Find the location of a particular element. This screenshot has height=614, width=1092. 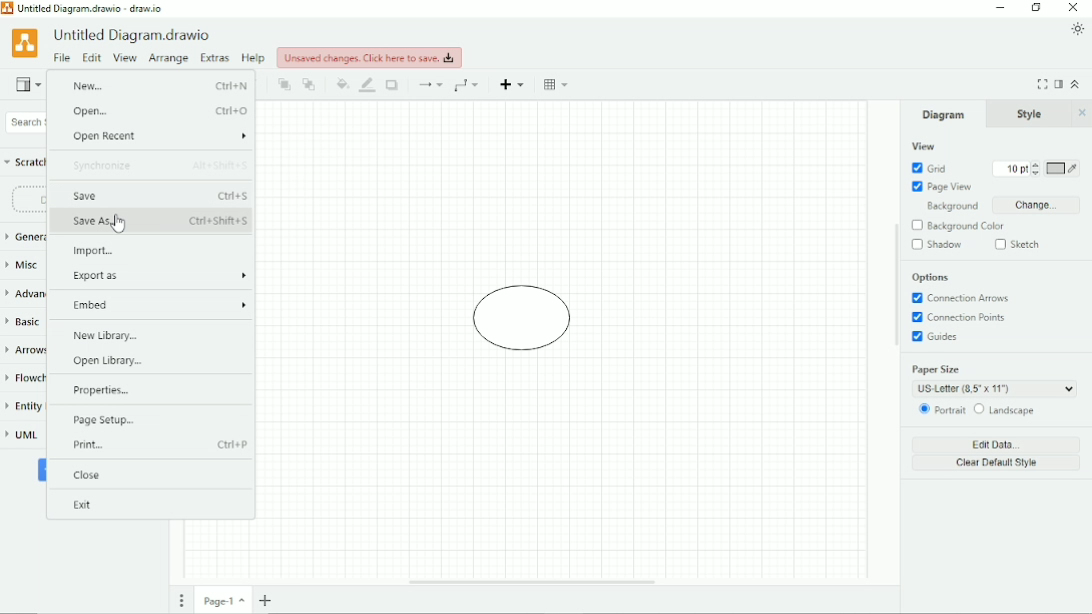

Collapse/Expand is located at coordinates (1077, 84).